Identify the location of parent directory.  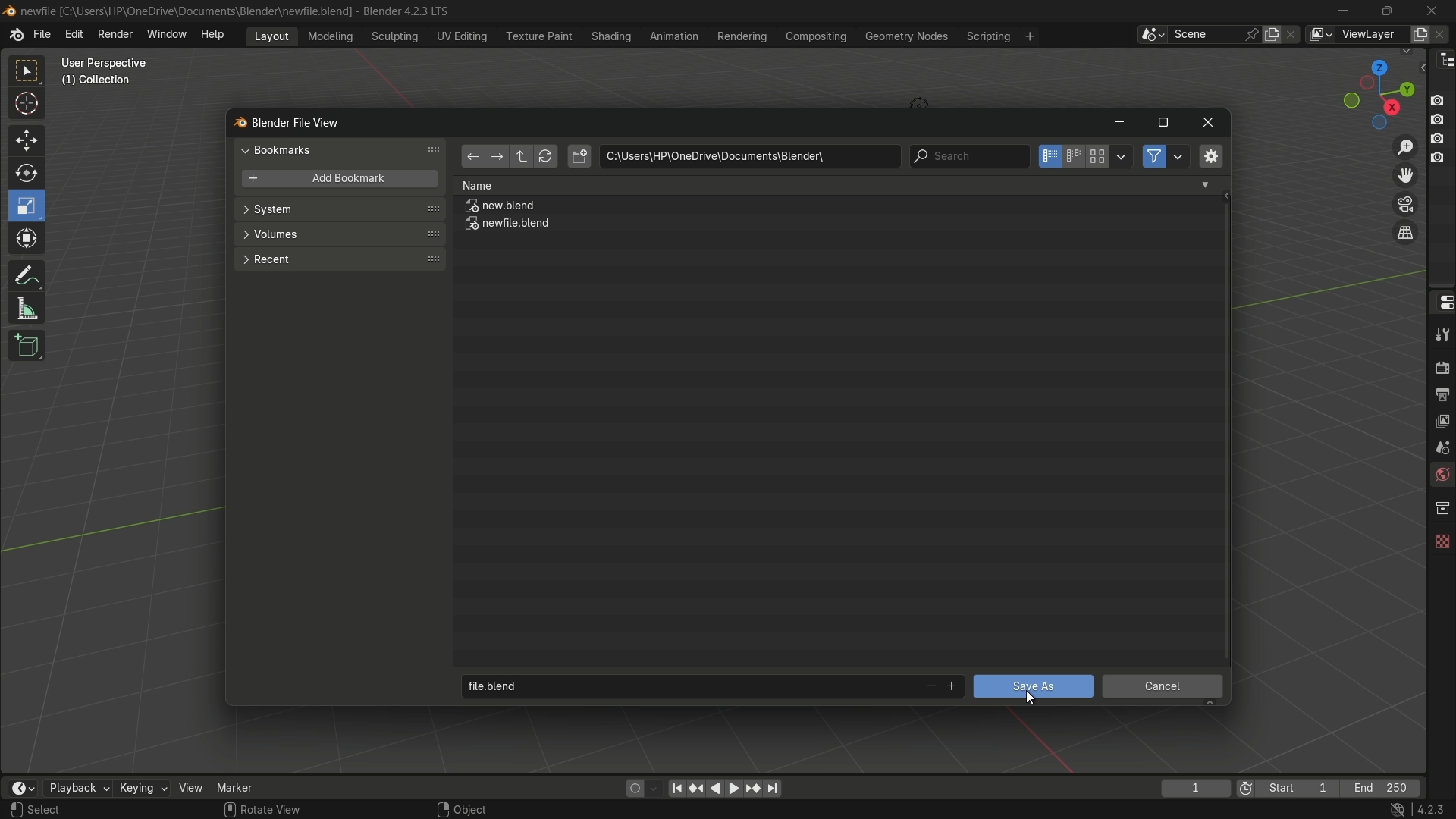
(523, 156).